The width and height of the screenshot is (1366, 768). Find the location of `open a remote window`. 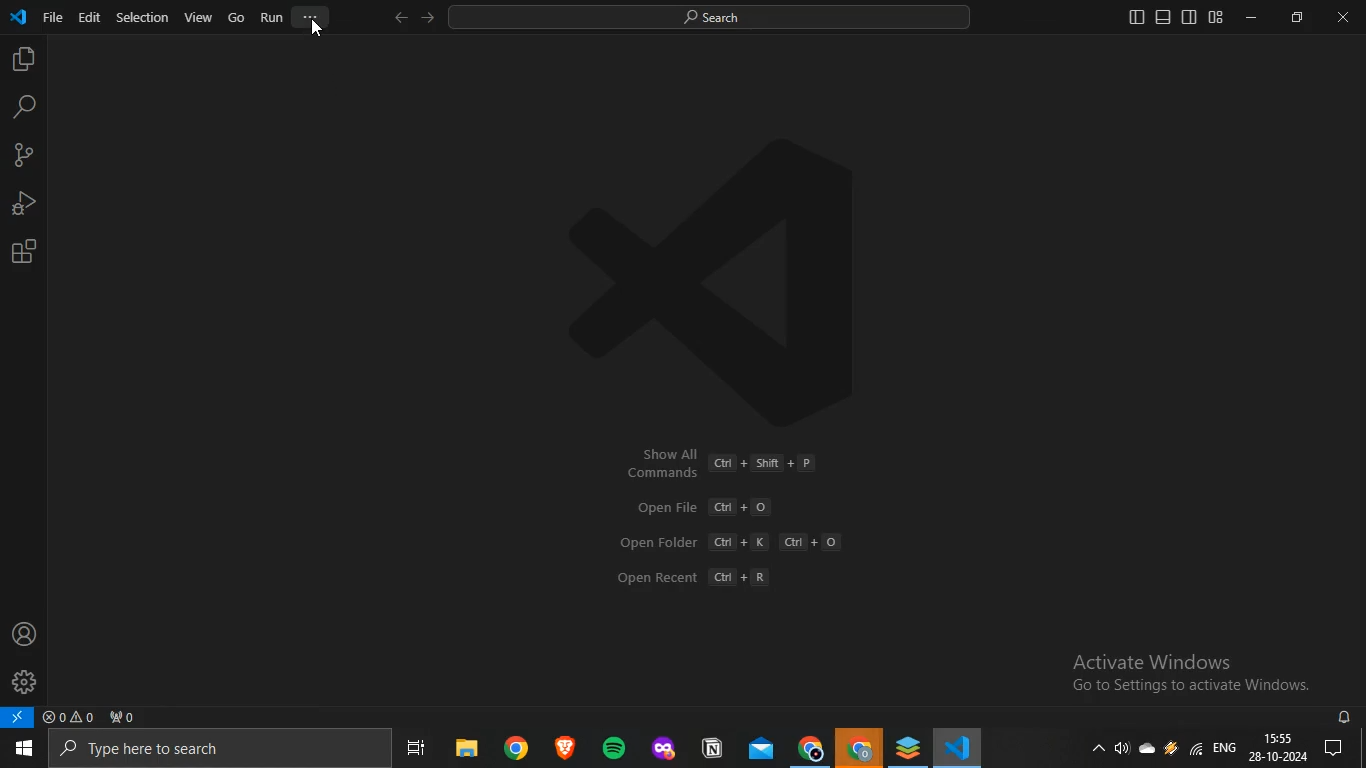

open a remote window is located at coordinates (19, 718).